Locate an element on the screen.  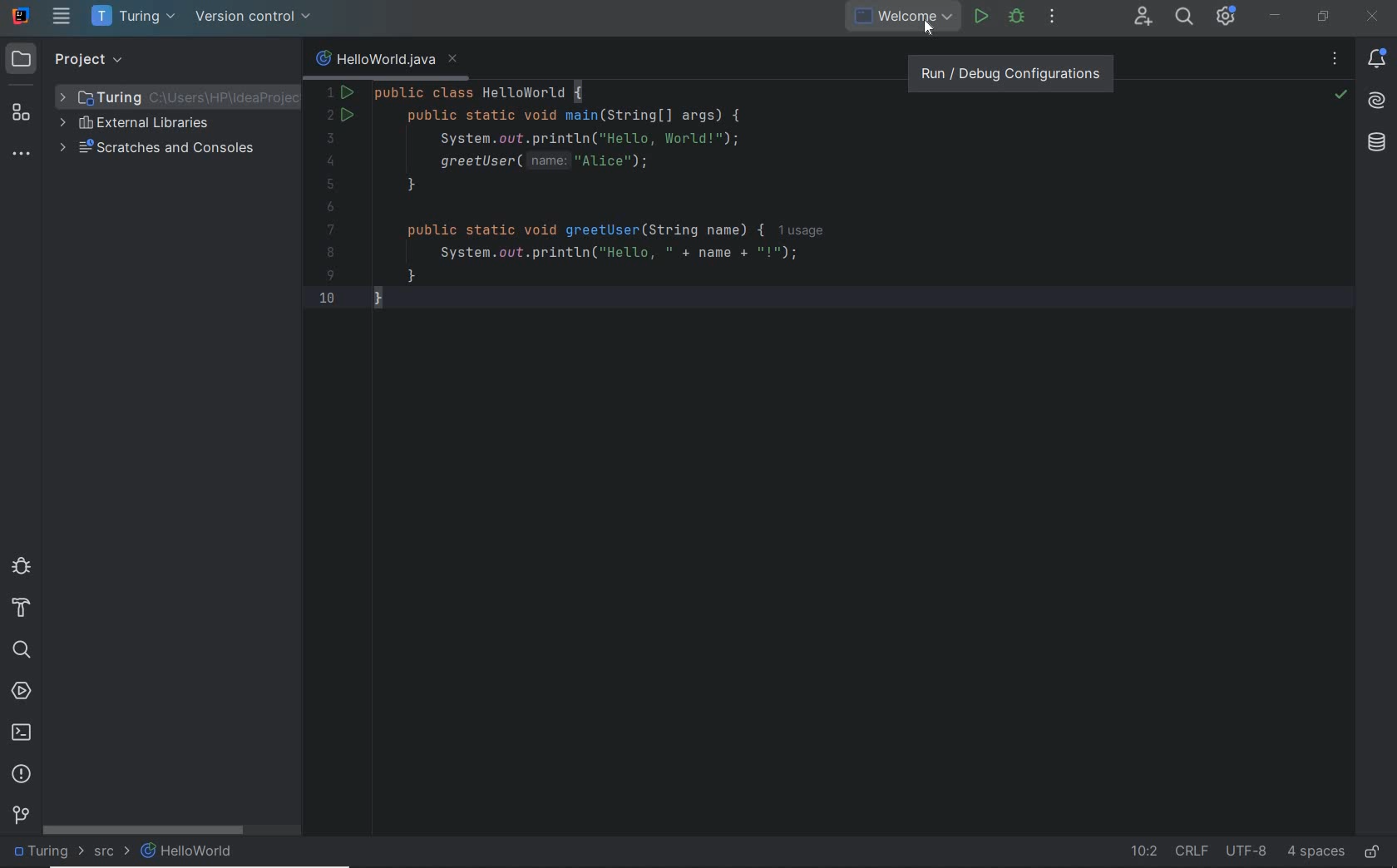
debug is located at coordinates (1017, 17).